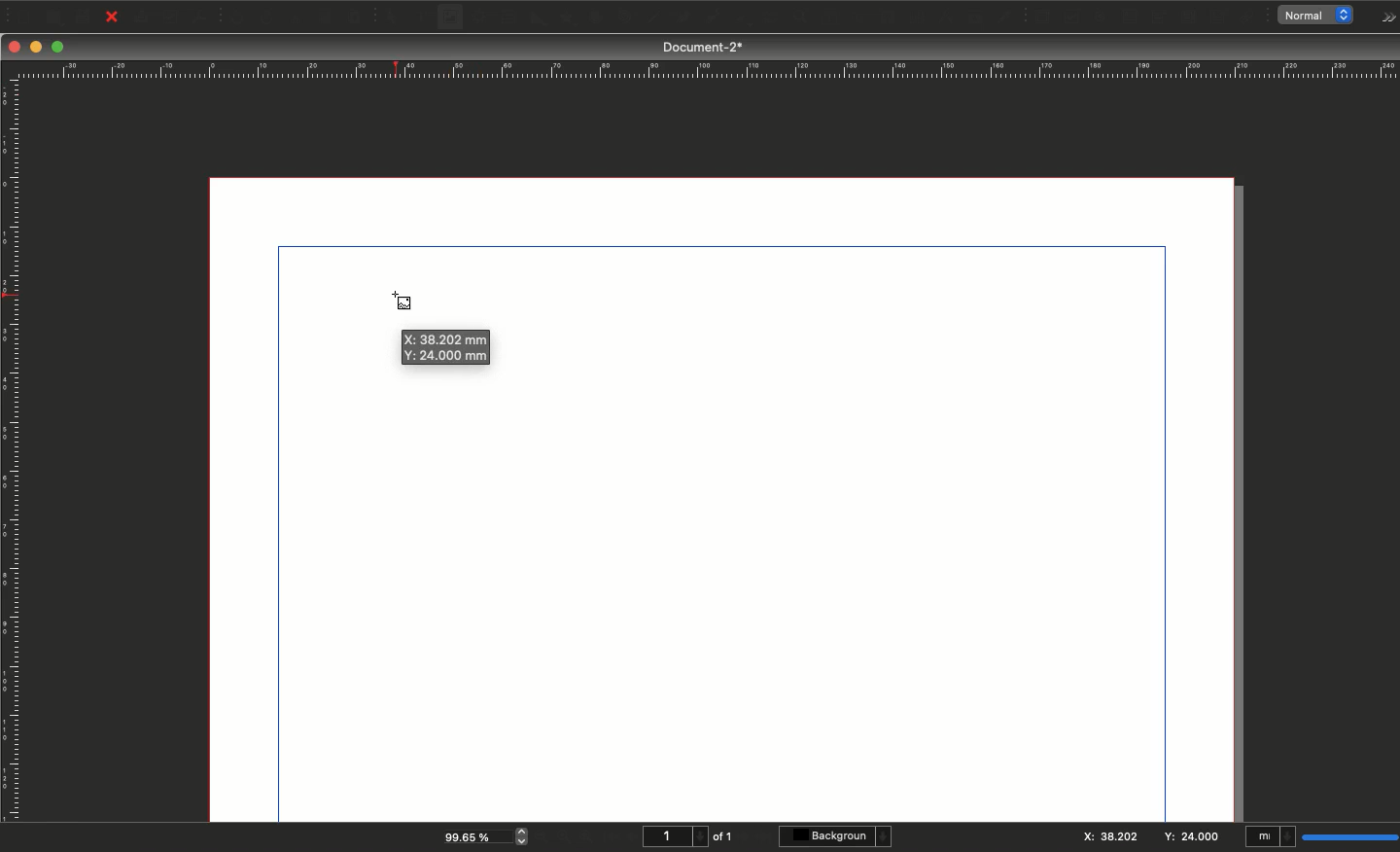  Describe the element at coordinates (172, 20) in the screenshot. I see `Preflight verifier` at that location.